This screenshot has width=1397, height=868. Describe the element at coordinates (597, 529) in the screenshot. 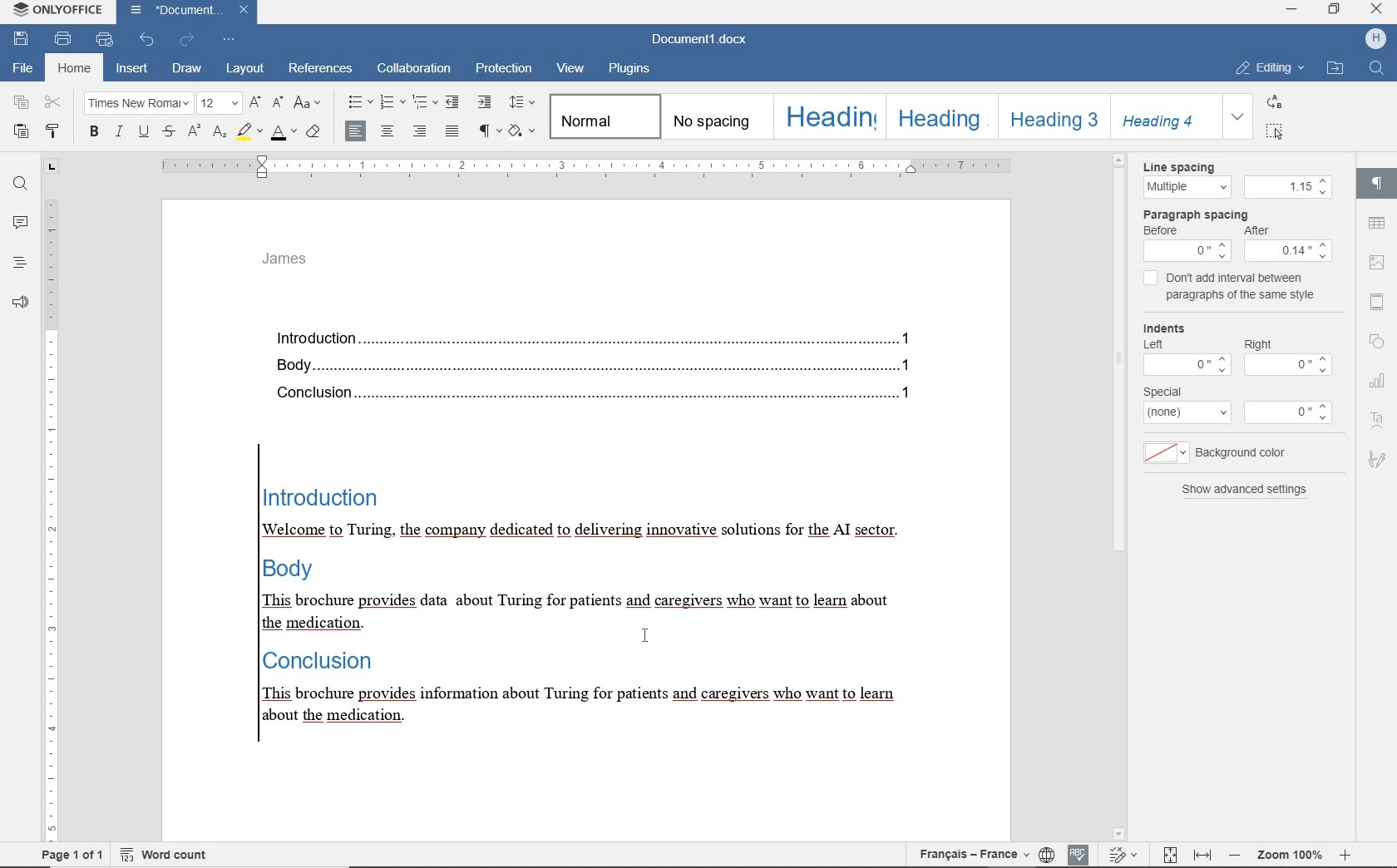

I see `[Welcome to Turing, the company dedicated to delivering innovative solutions for the AI sector.` at that location.